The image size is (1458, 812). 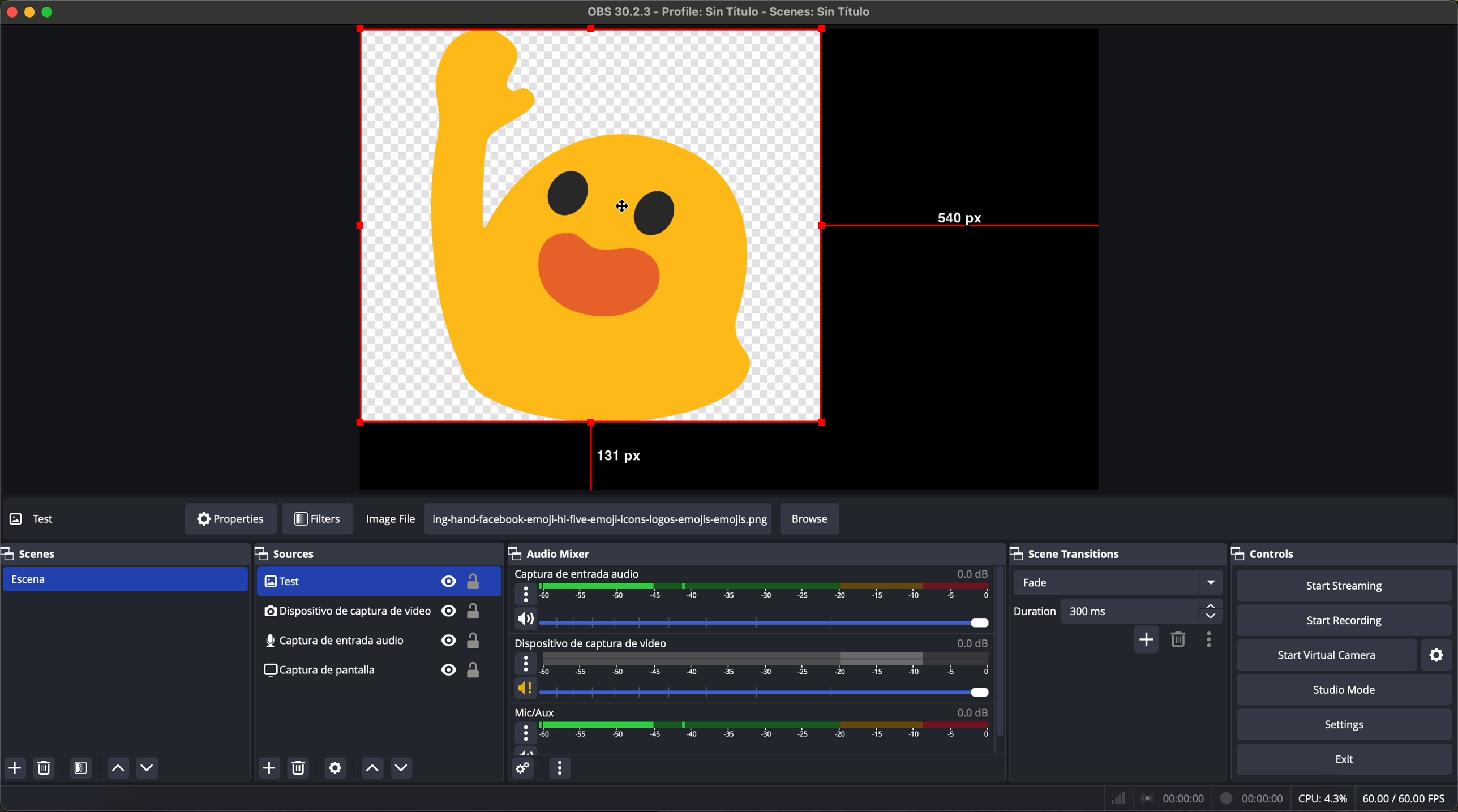 I want to click on video capture device, so click(x=595, y=643).